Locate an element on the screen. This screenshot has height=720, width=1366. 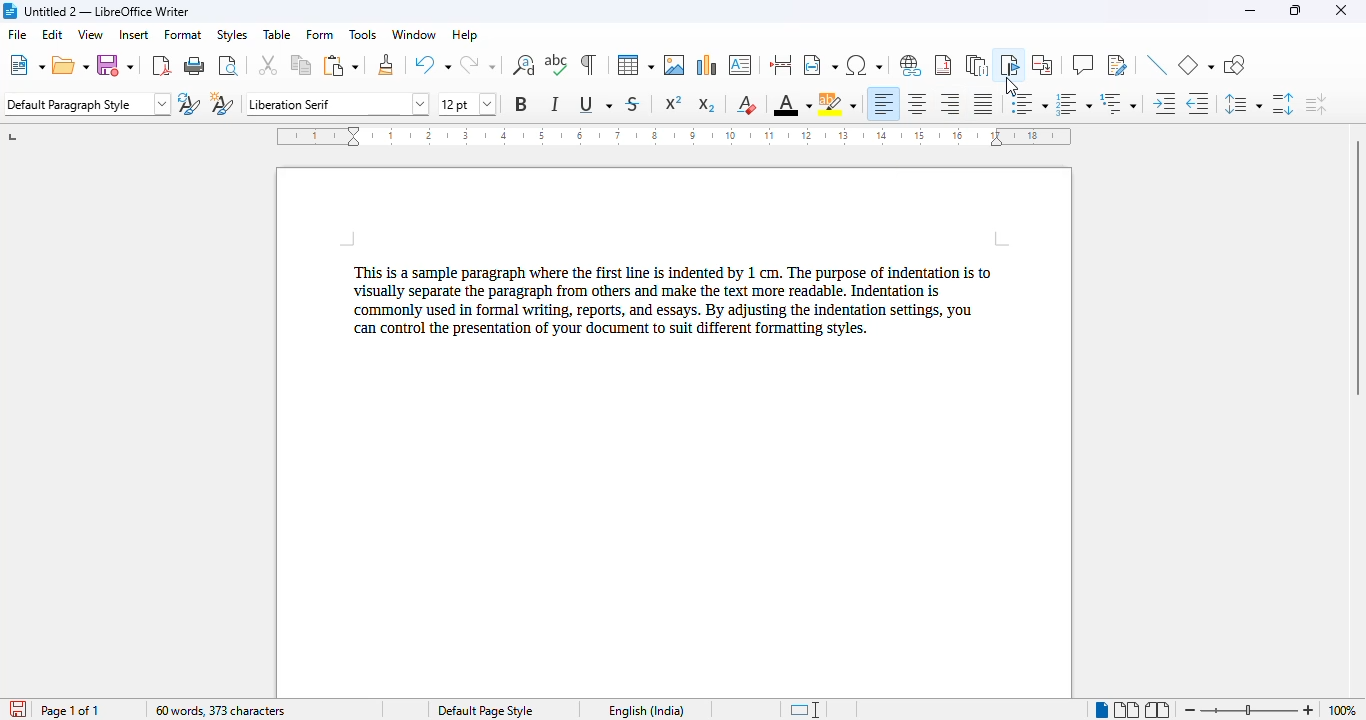
window is located at coordinates (414, 35).